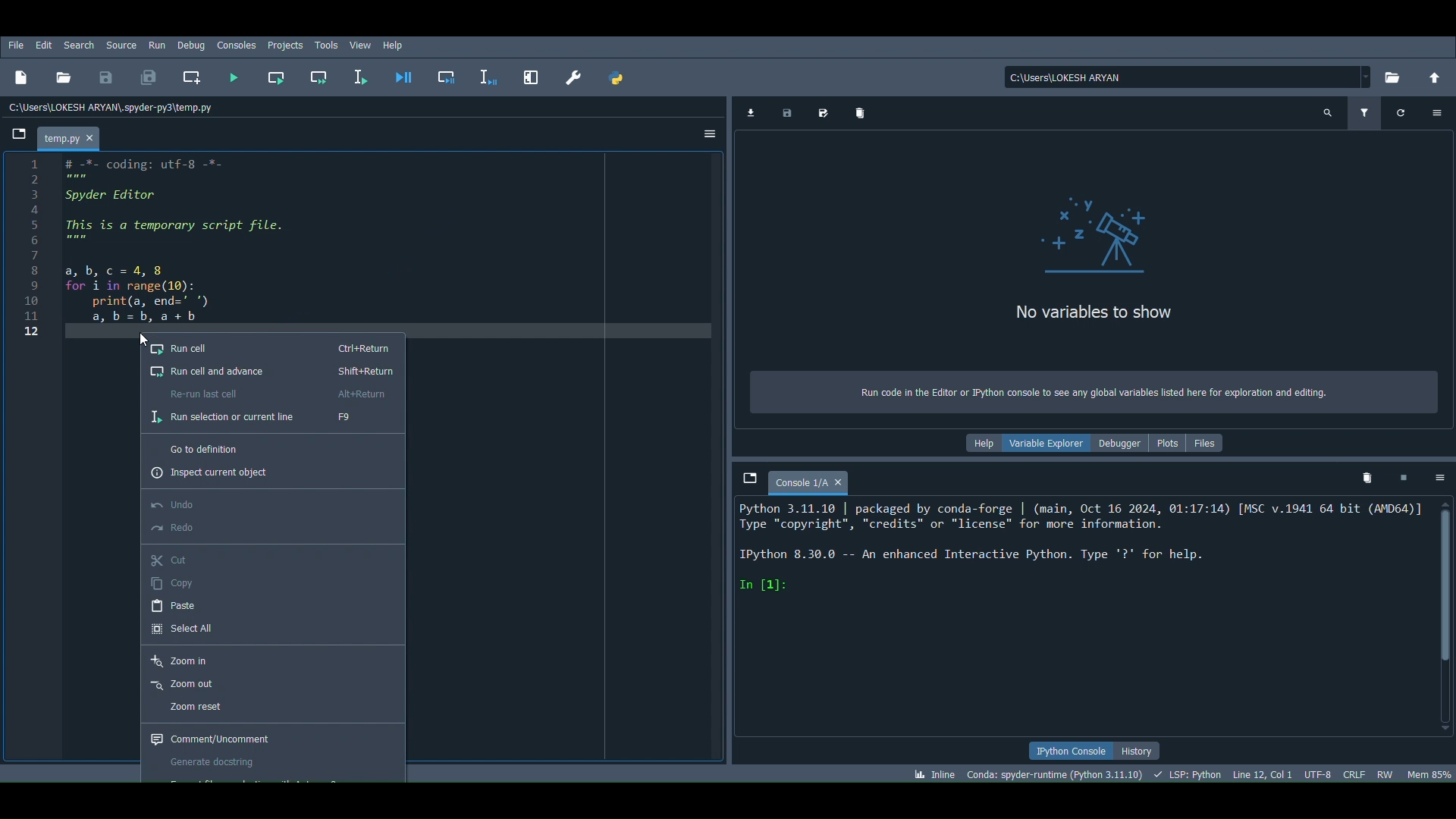 Image resolution: width=1456 pixels, height=819 pixels. I want to click on File, so click(17, 47).